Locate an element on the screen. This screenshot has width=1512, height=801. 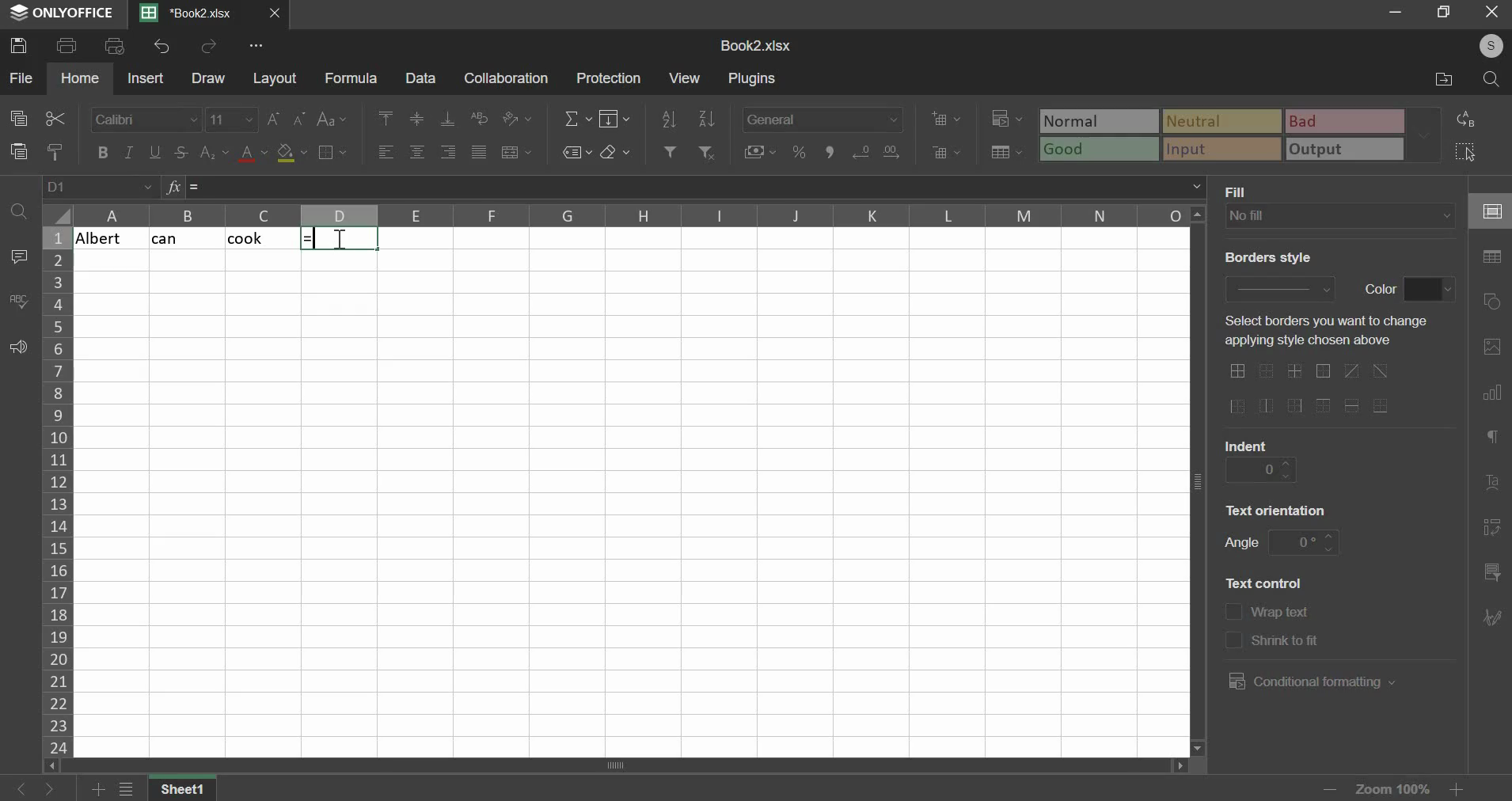
spreadsheet name is located at coordinates (755, 46).